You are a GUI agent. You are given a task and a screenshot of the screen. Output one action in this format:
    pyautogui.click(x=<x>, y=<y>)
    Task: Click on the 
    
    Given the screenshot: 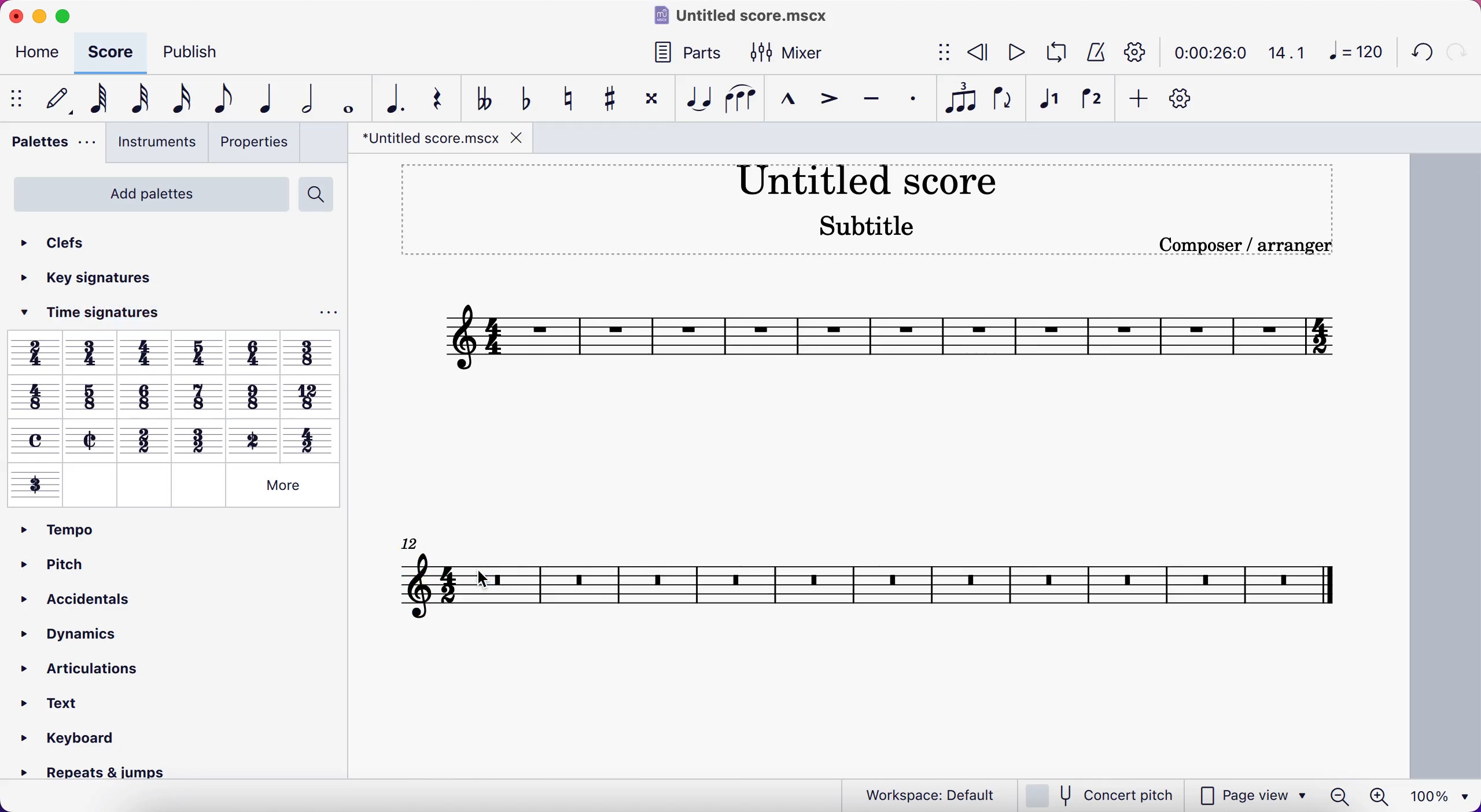 What is the action you would take?
    pyautogui.click(x=146, y=352)
    